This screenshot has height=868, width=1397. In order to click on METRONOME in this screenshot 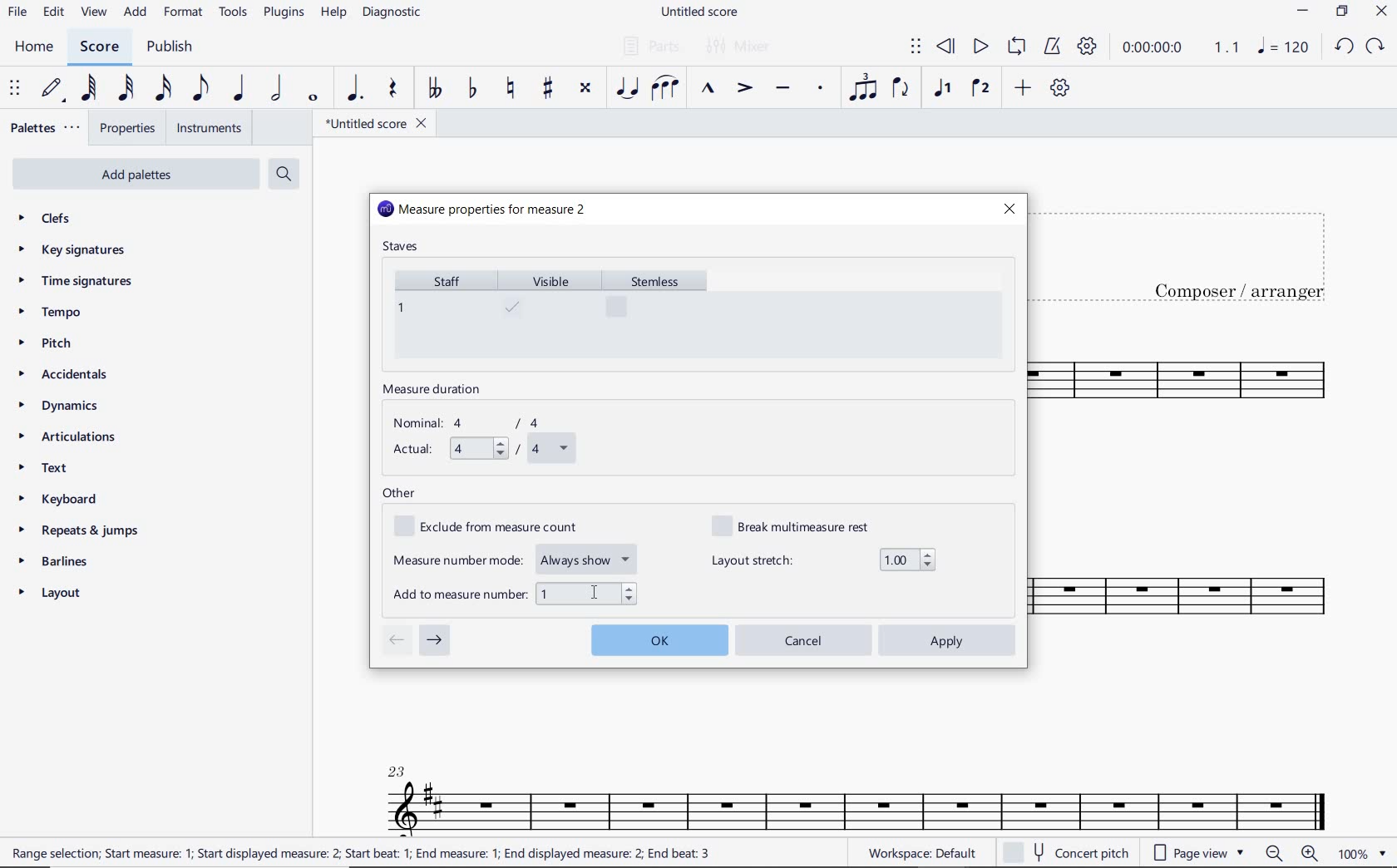, I will do `click(1052, 47)`.